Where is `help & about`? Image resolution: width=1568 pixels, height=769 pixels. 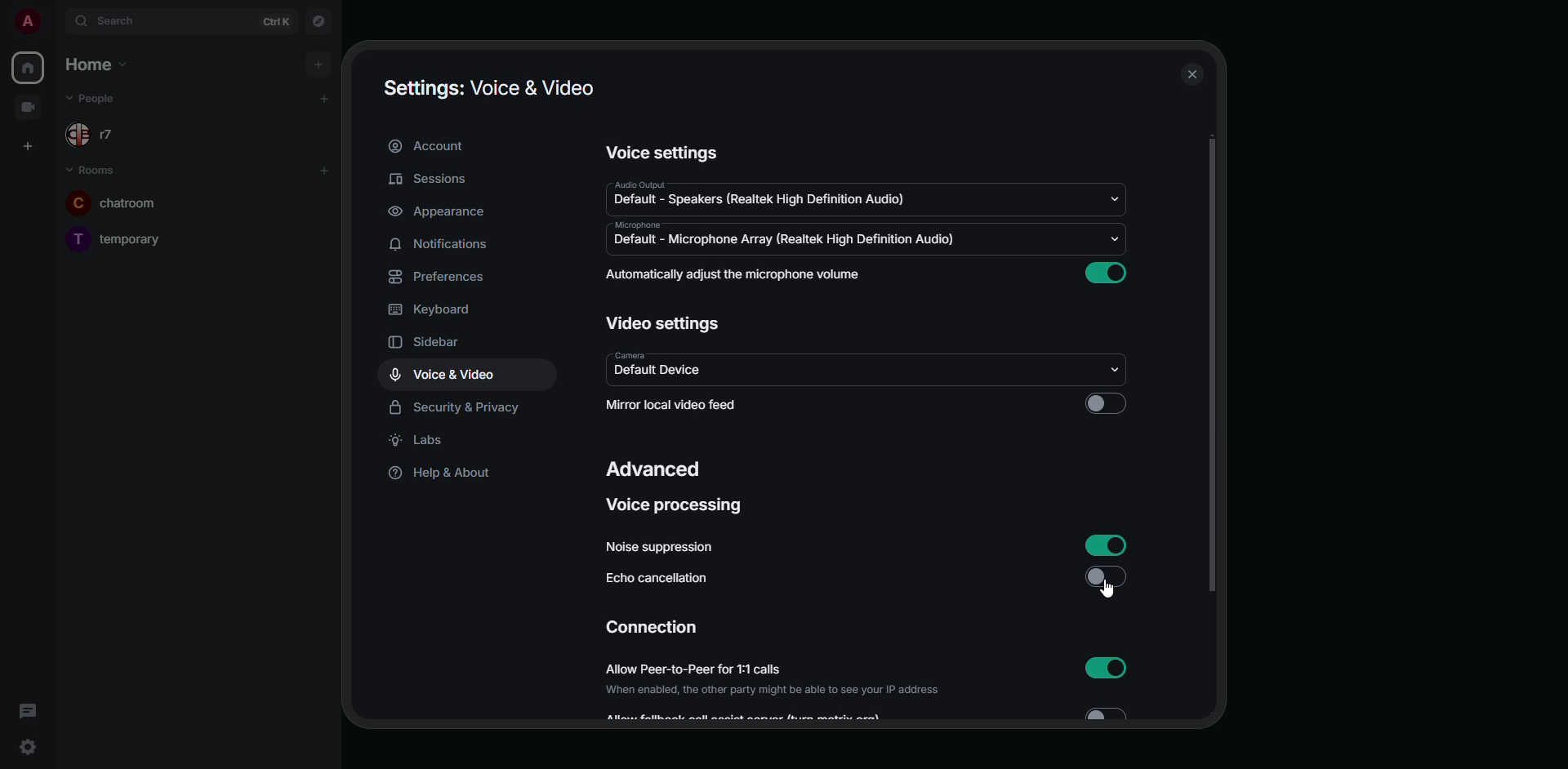 help & about is located at coordinates (441, 473).